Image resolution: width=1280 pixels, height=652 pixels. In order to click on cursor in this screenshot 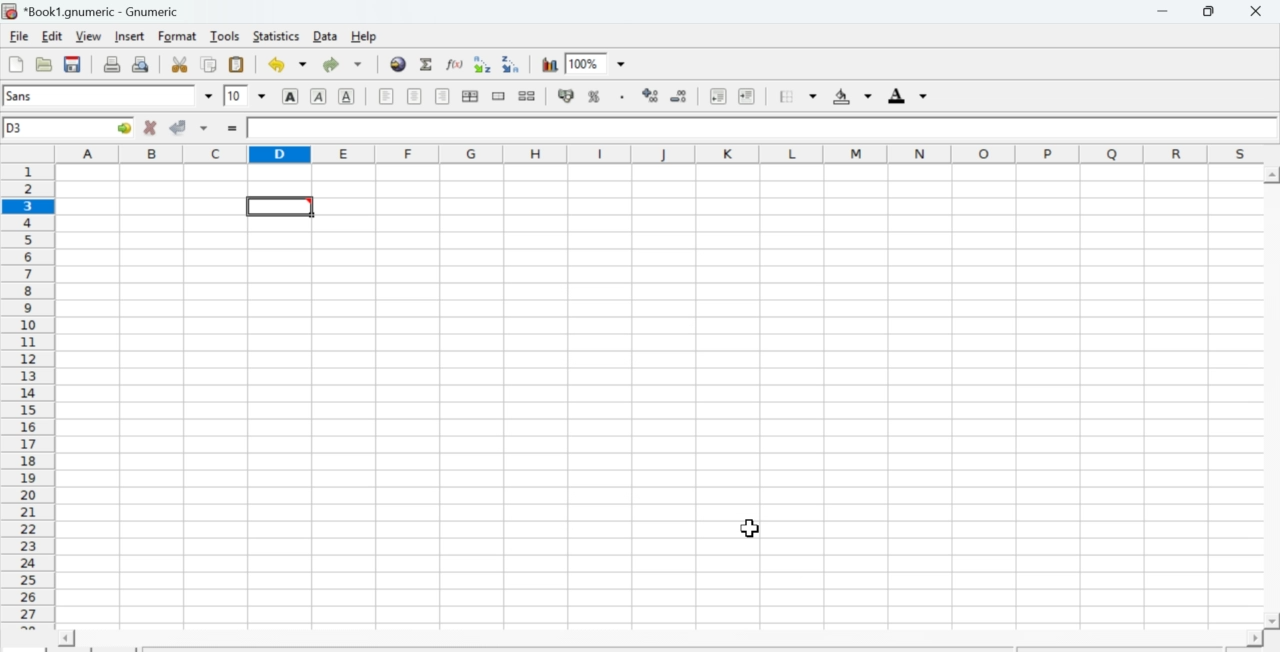, I will do `click(751, 526)`.